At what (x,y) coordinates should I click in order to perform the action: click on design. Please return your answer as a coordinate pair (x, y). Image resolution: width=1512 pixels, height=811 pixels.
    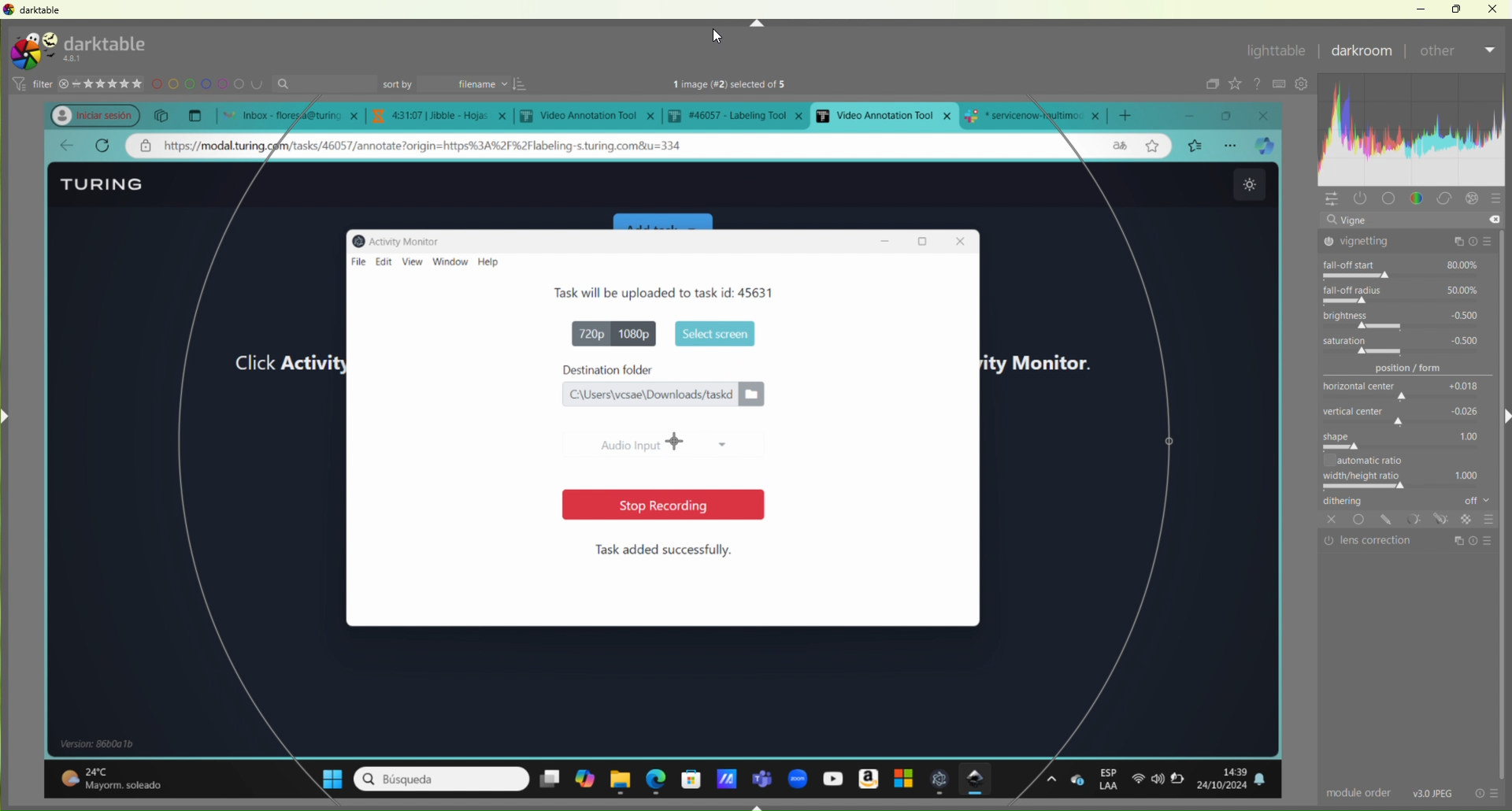
    Looking at the image, I should click on (209, 85).